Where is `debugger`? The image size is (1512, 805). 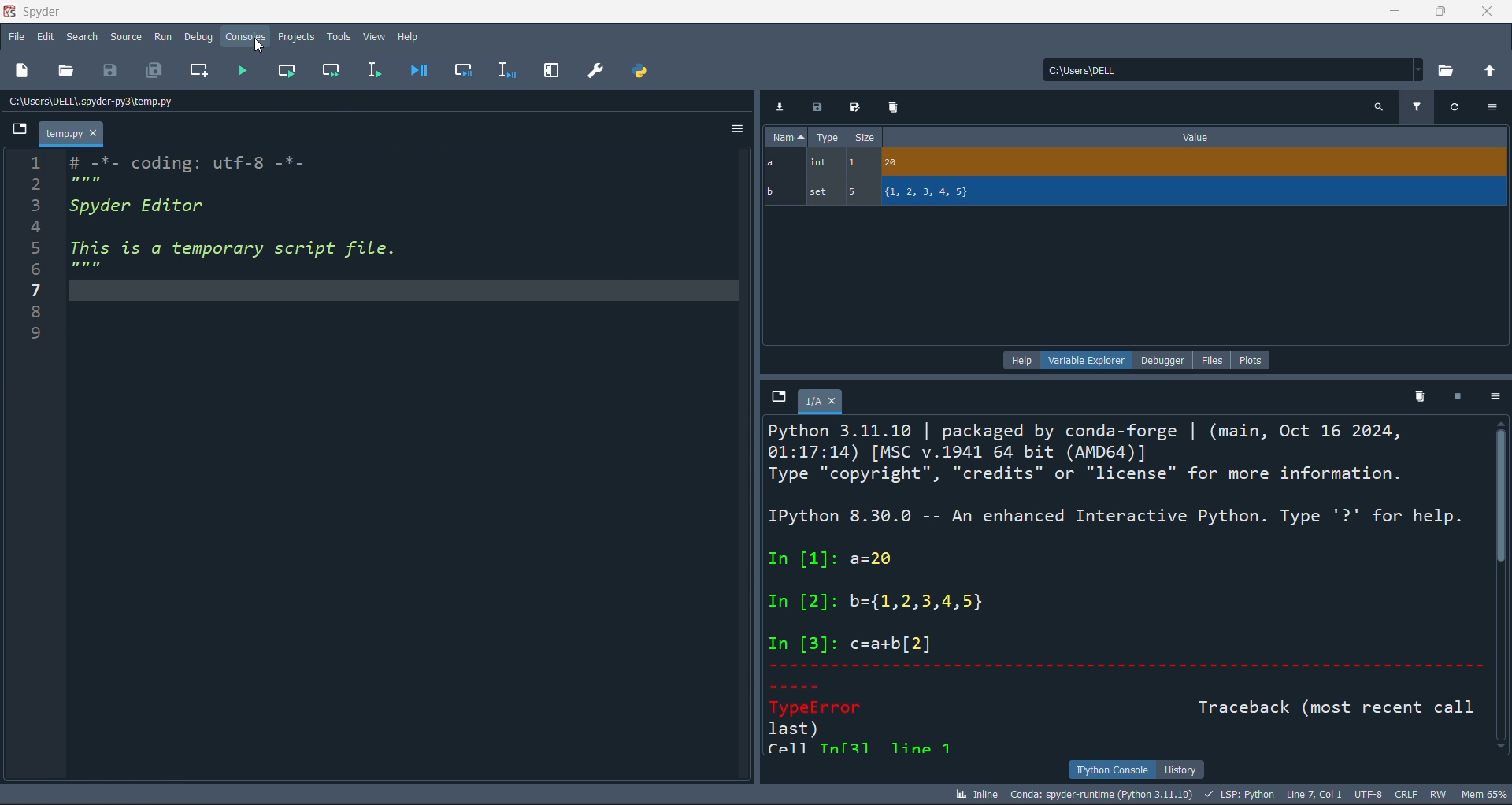
debugger is located at coordinates (1163, 360).